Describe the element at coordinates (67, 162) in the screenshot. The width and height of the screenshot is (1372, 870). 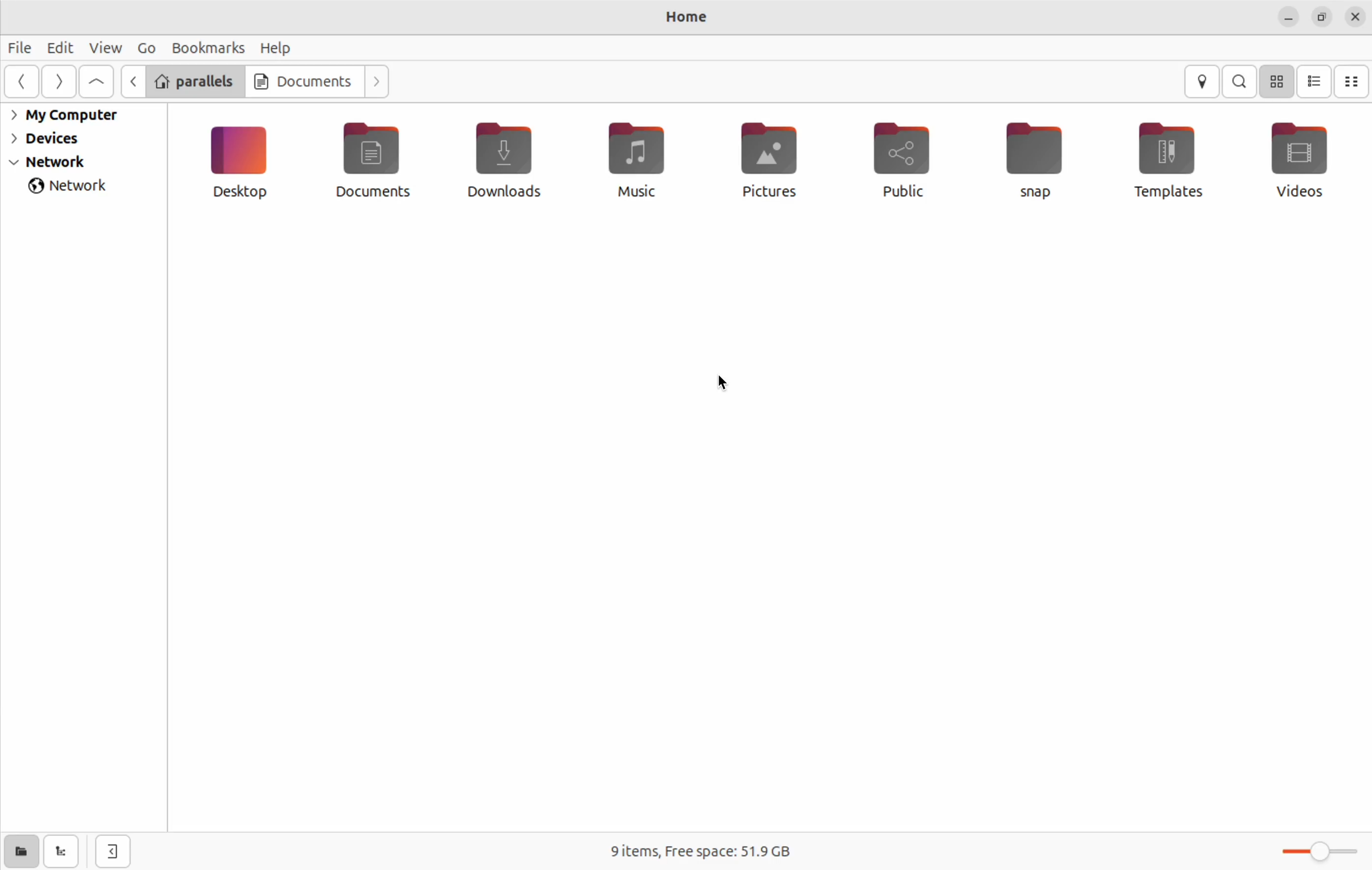
I see `network` at that location.